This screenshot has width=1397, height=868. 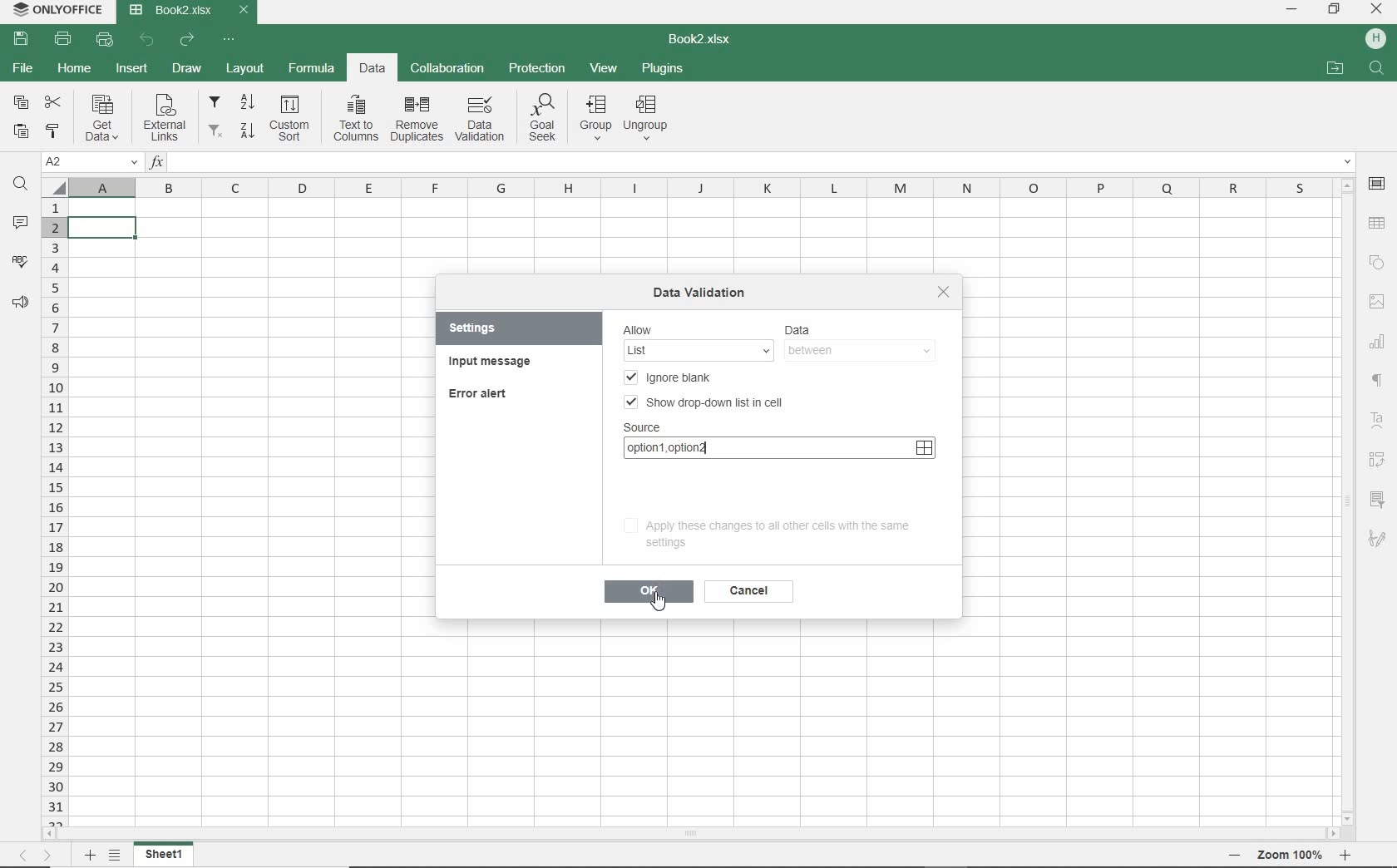 I want to click on UNDO, so click(x=146, y=40).